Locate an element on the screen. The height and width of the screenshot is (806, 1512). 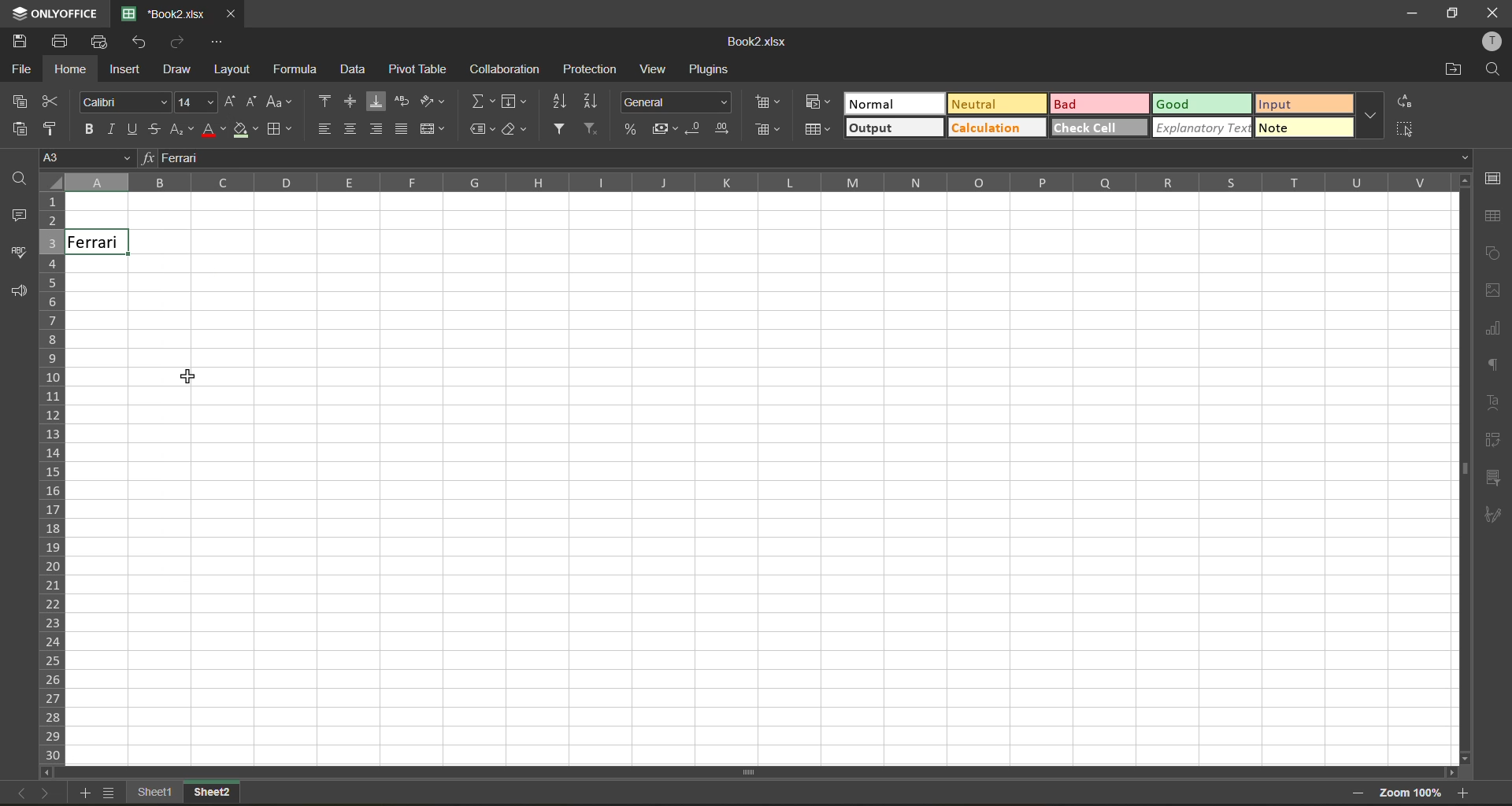
previous is located at coordinates (16, 794).